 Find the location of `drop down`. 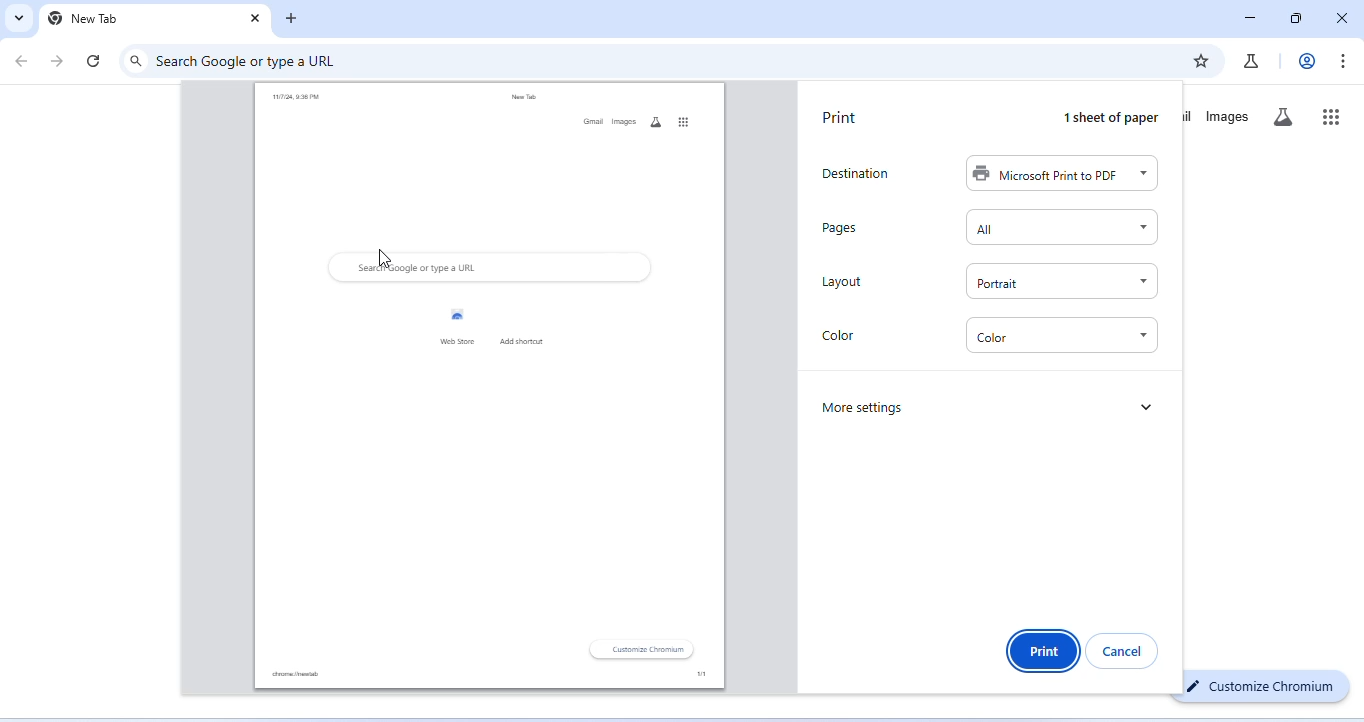

drop down is located at coordinates (1147, 405).